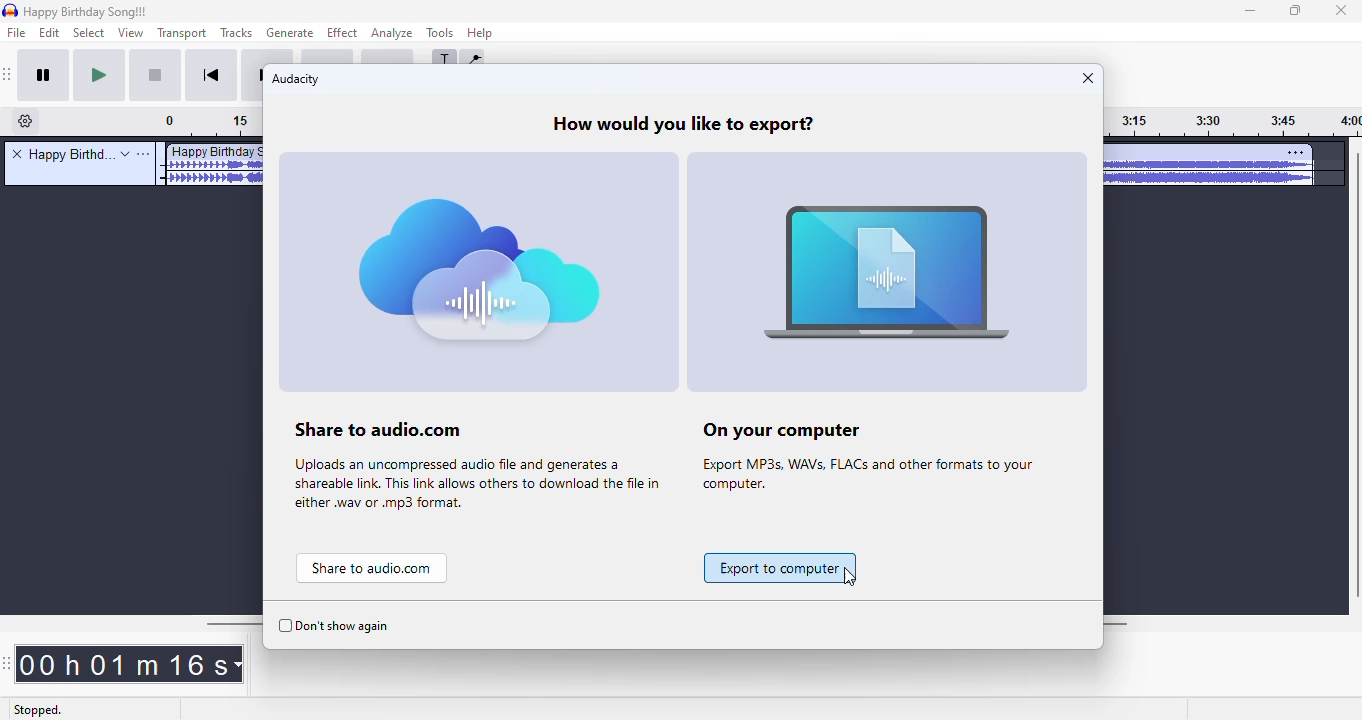  What do you see at coordinates (1086, 78) in the screenshot?
I see `close` at bounding box center [1086, 78].